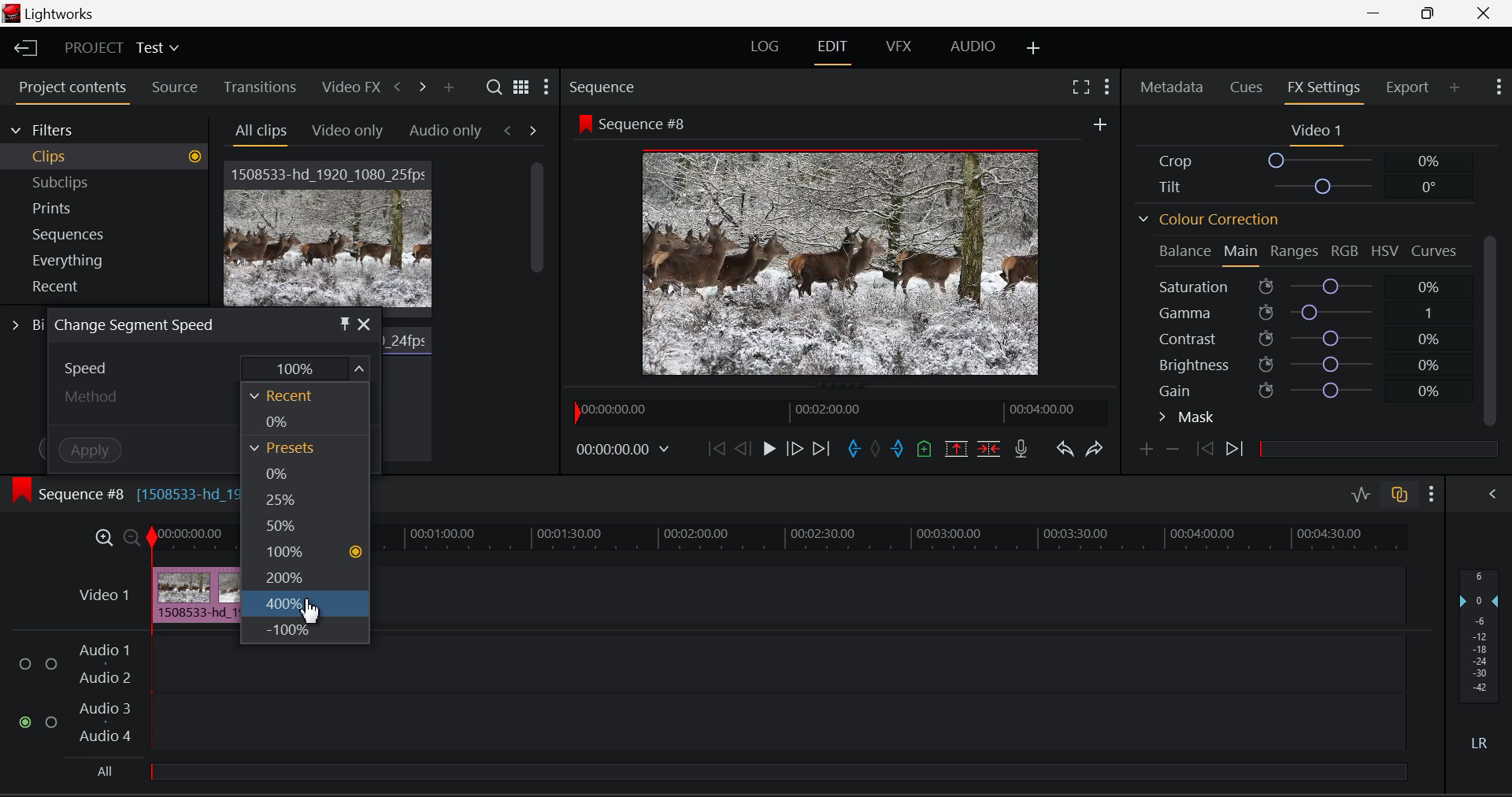 This screenshot has height=797, width=1512. I want to click on Mask, so click(1187, 417).